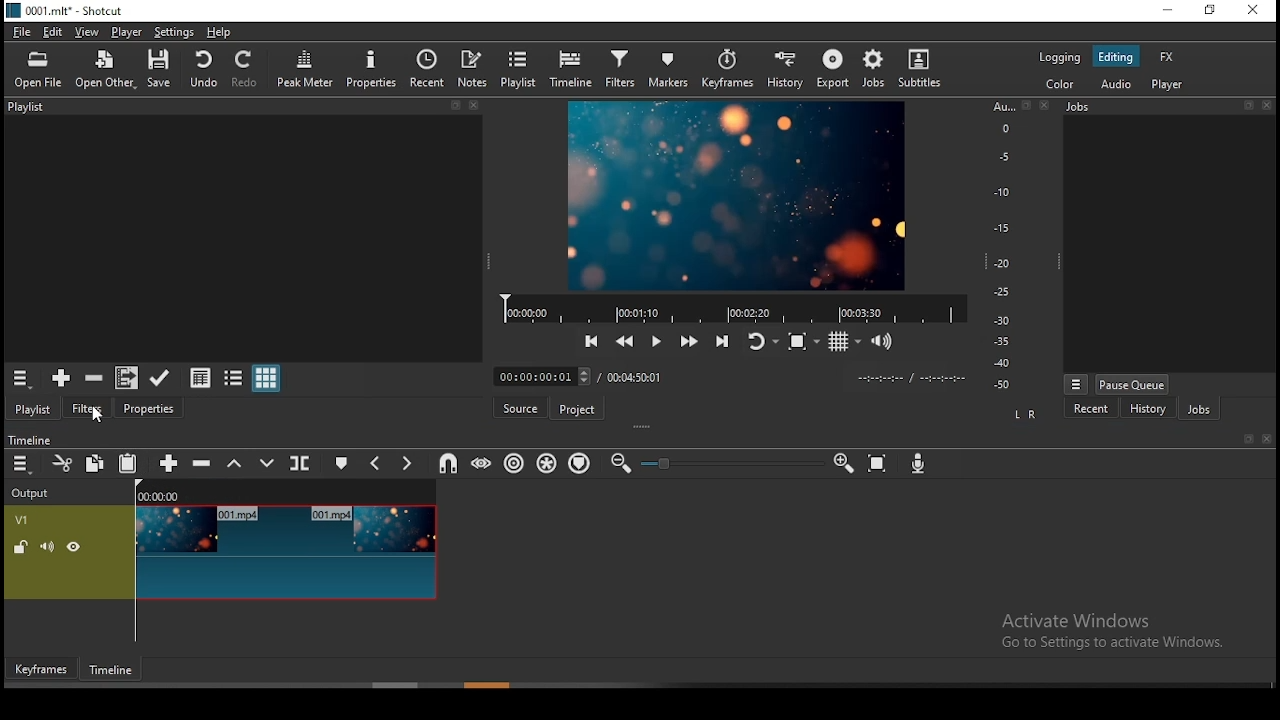  Describe the element at coordinates (63, 463) in the screenshot. I see `cut` at that location.